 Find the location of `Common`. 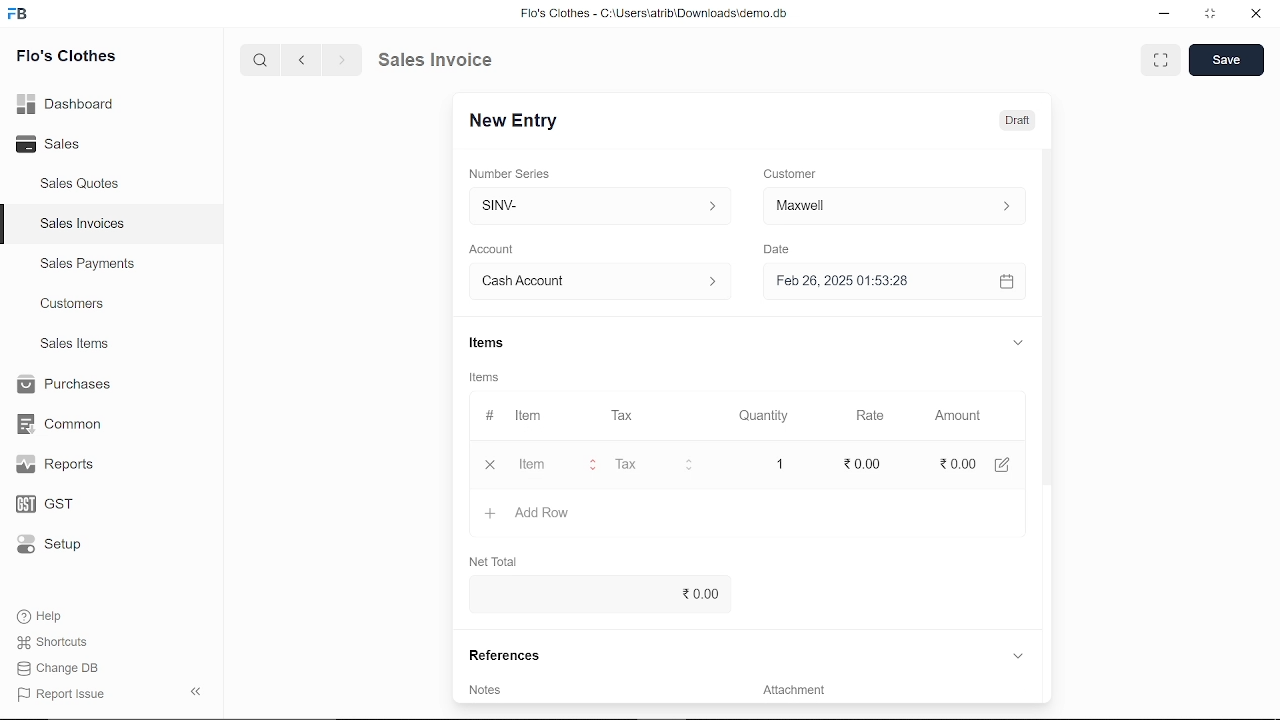

Common is located at coordinates (62, 424).